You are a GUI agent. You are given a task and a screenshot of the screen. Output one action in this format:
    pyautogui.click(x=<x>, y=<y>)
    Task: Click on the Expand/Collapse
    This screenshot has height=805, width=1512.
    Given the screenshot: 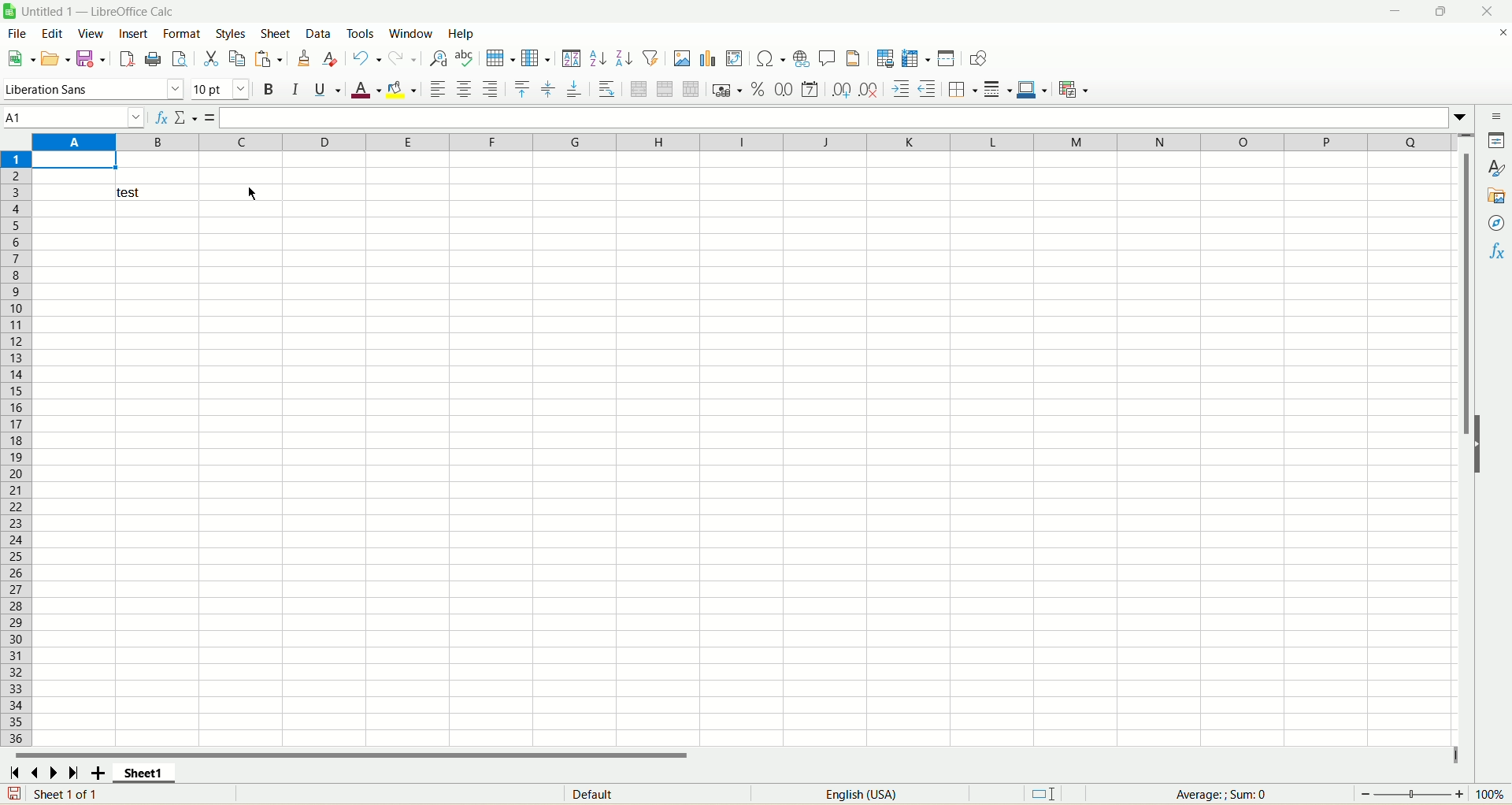 What is the action you would take?
    pyautogui.click(x=1478, y=444)
    